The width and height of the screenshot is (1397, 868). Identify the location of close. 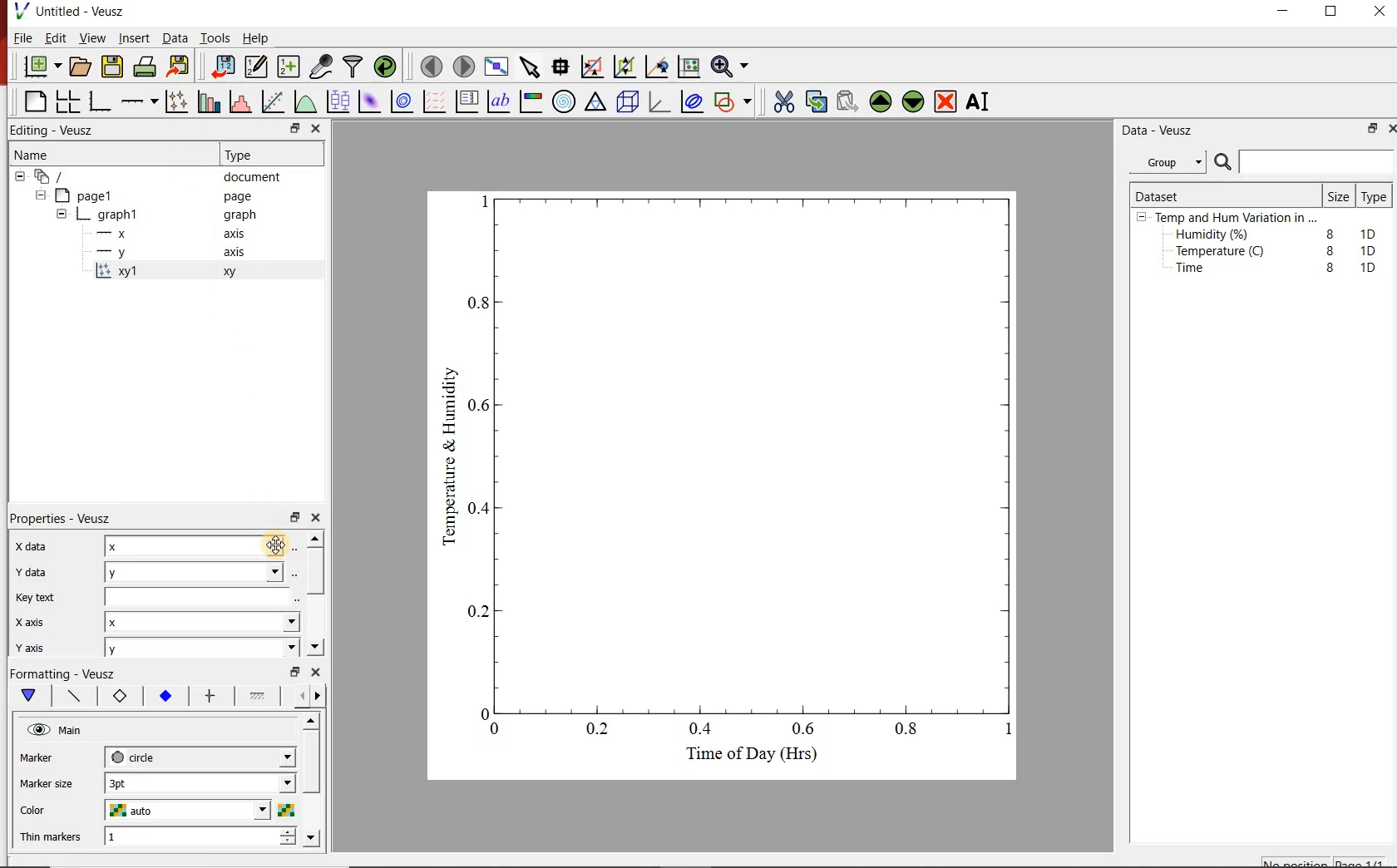
(1389, 128).